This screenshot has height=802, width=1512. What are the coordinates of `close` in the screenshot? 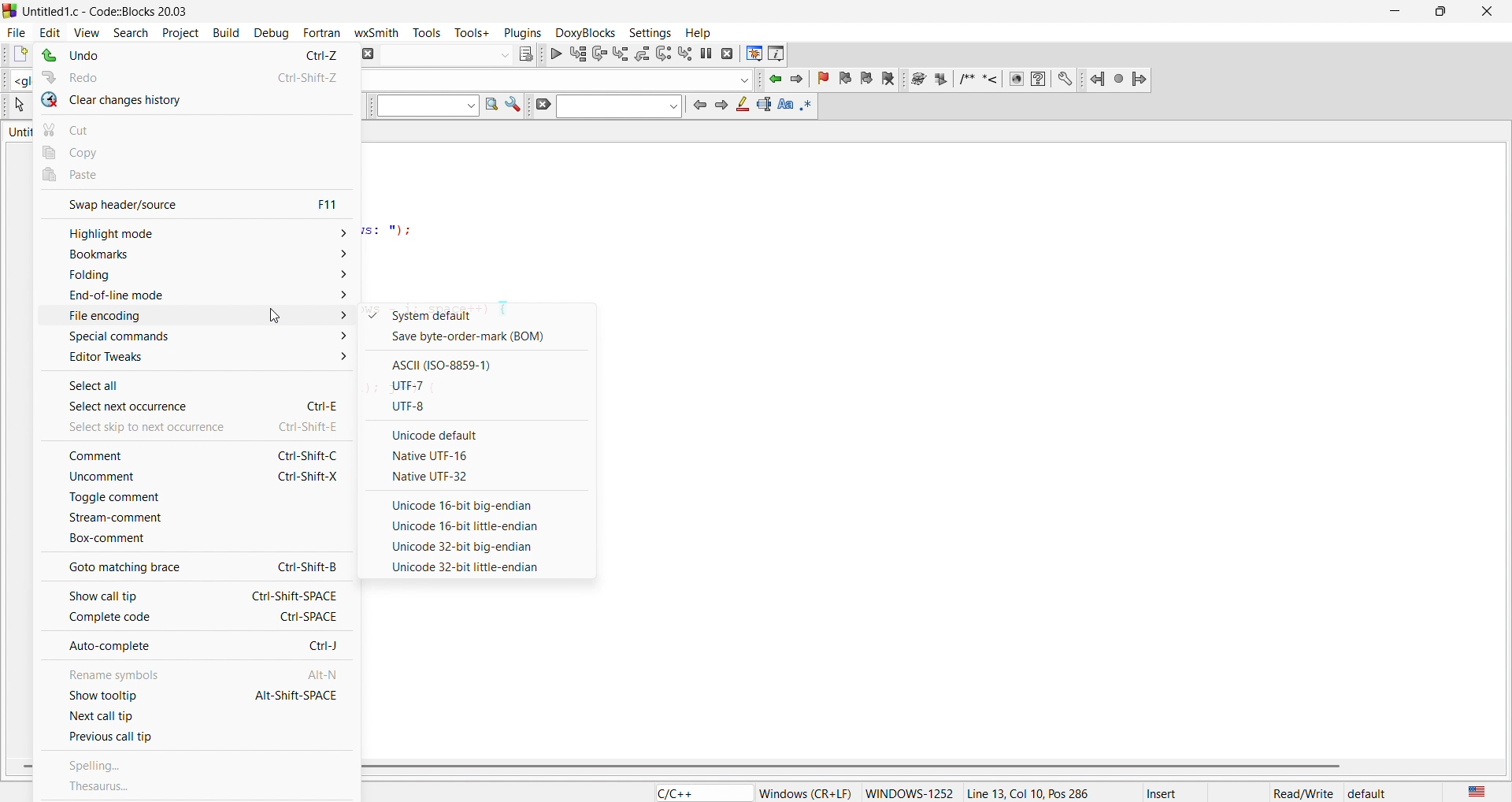 It's located at (1488, 10).